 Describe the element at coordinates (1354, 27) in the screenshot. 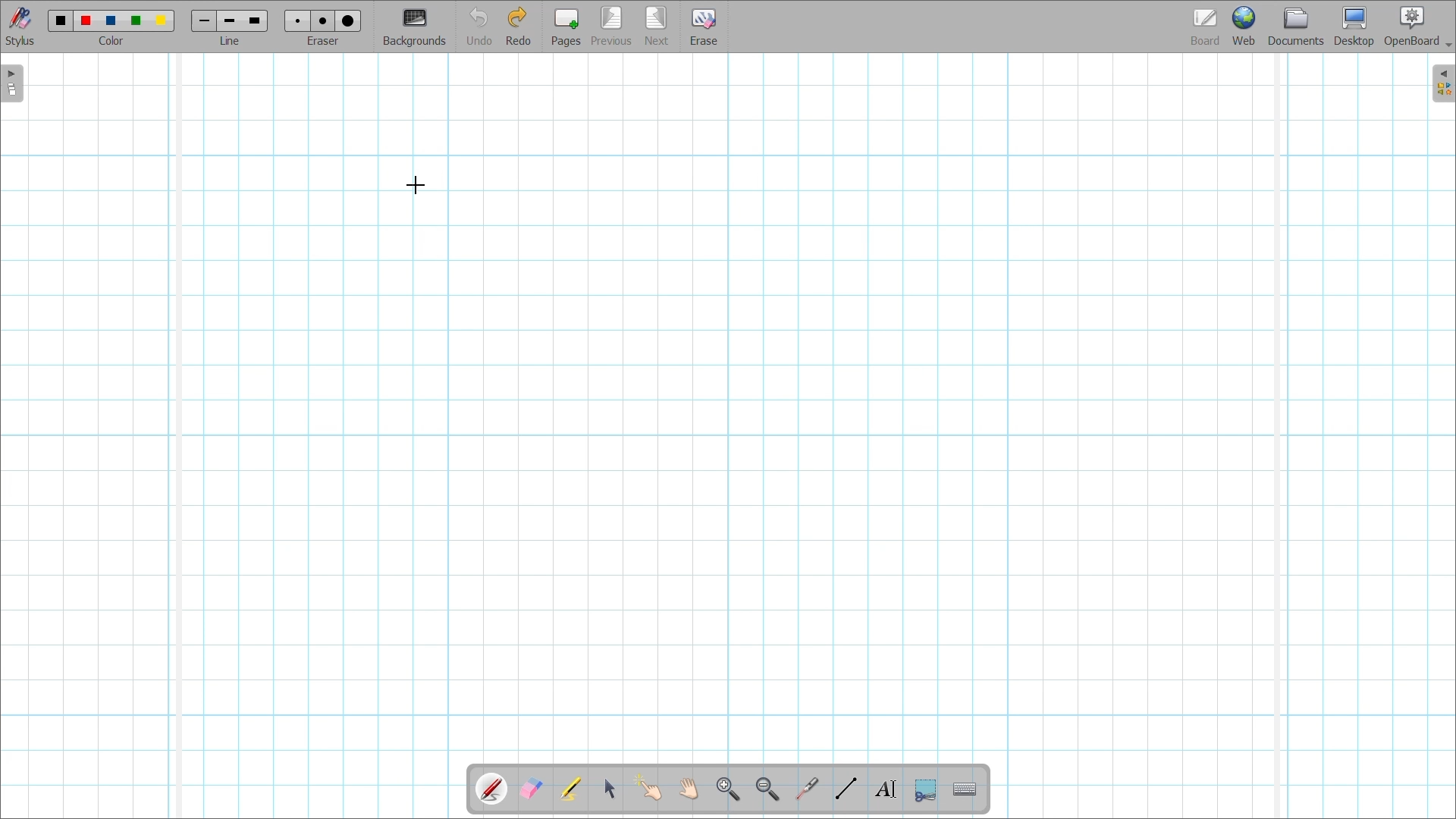

I see `Show desktop` at that location.